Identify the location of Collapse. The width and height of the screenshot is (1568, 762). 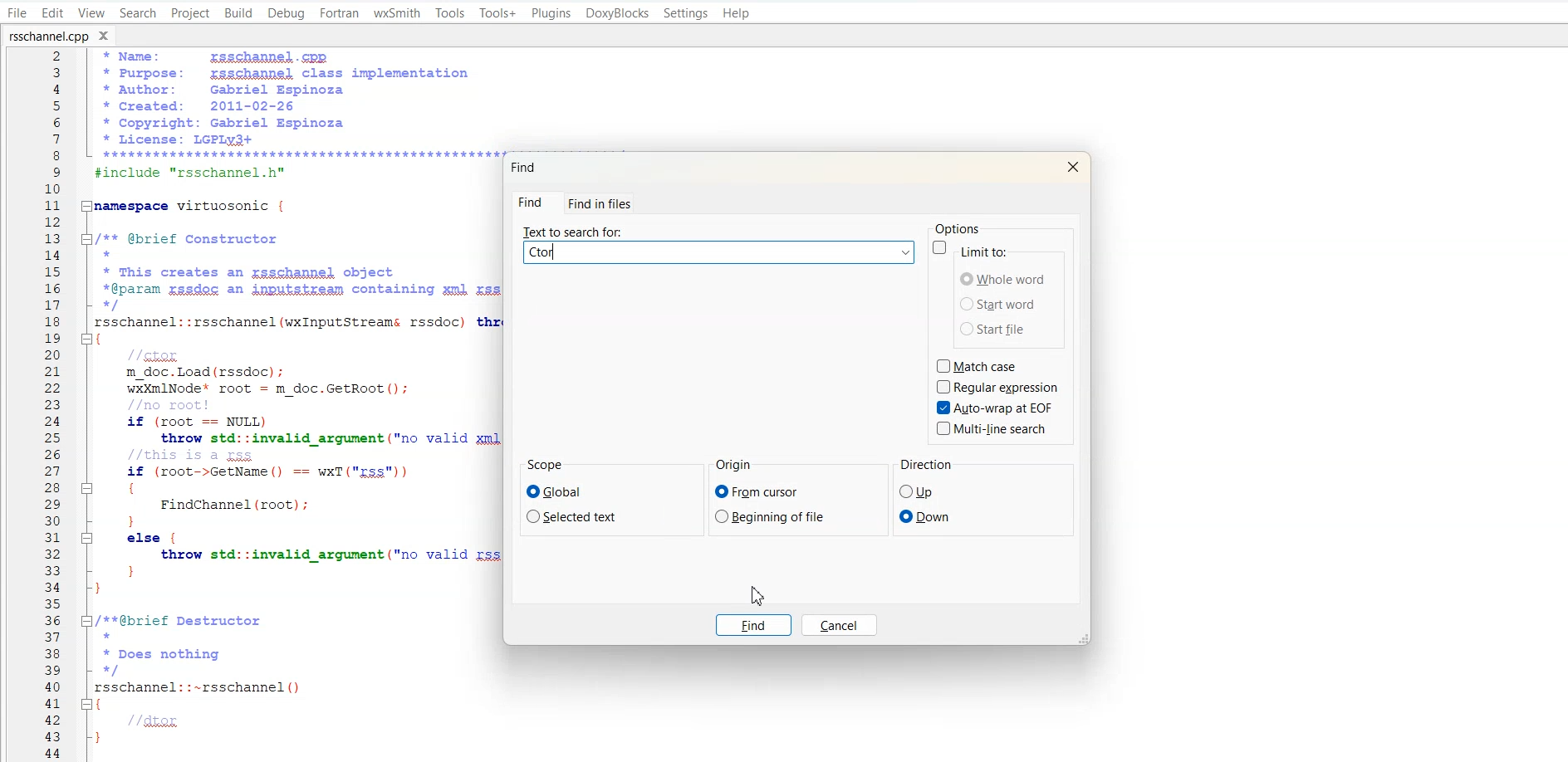
(86, 488).